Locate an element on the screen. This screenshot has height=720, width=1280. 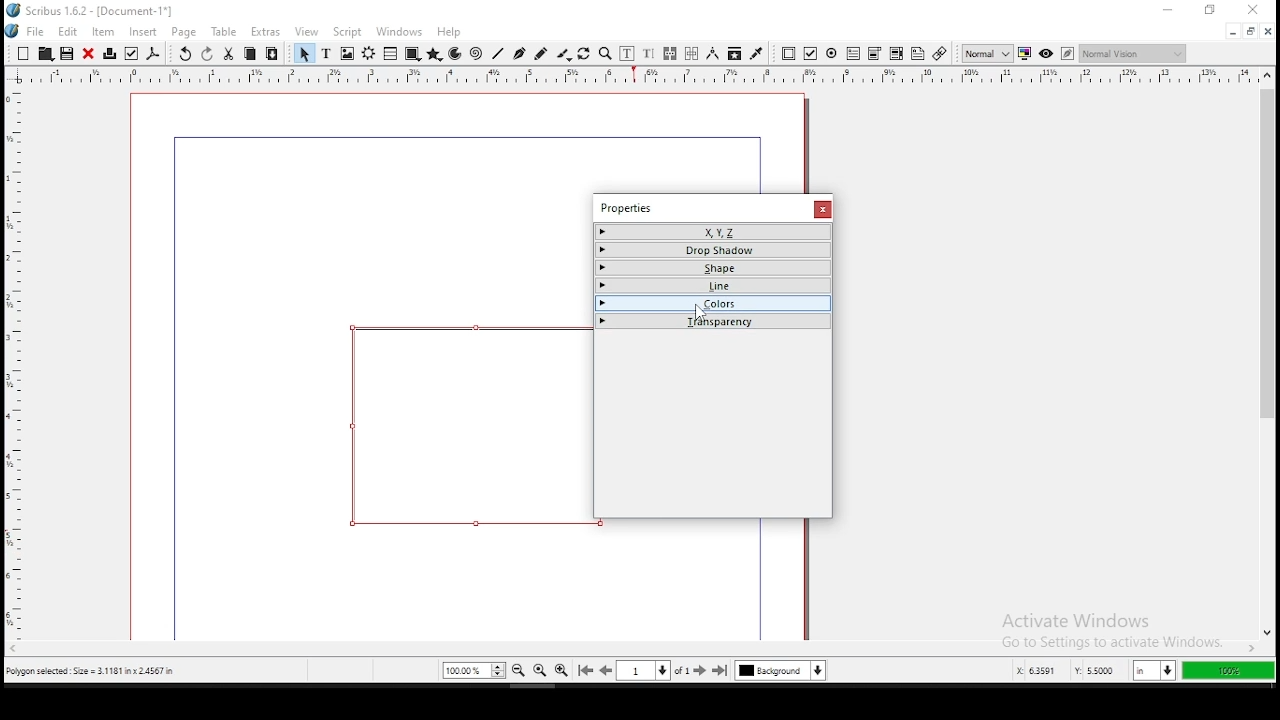
zoom in is located at coordinates (562, 671).